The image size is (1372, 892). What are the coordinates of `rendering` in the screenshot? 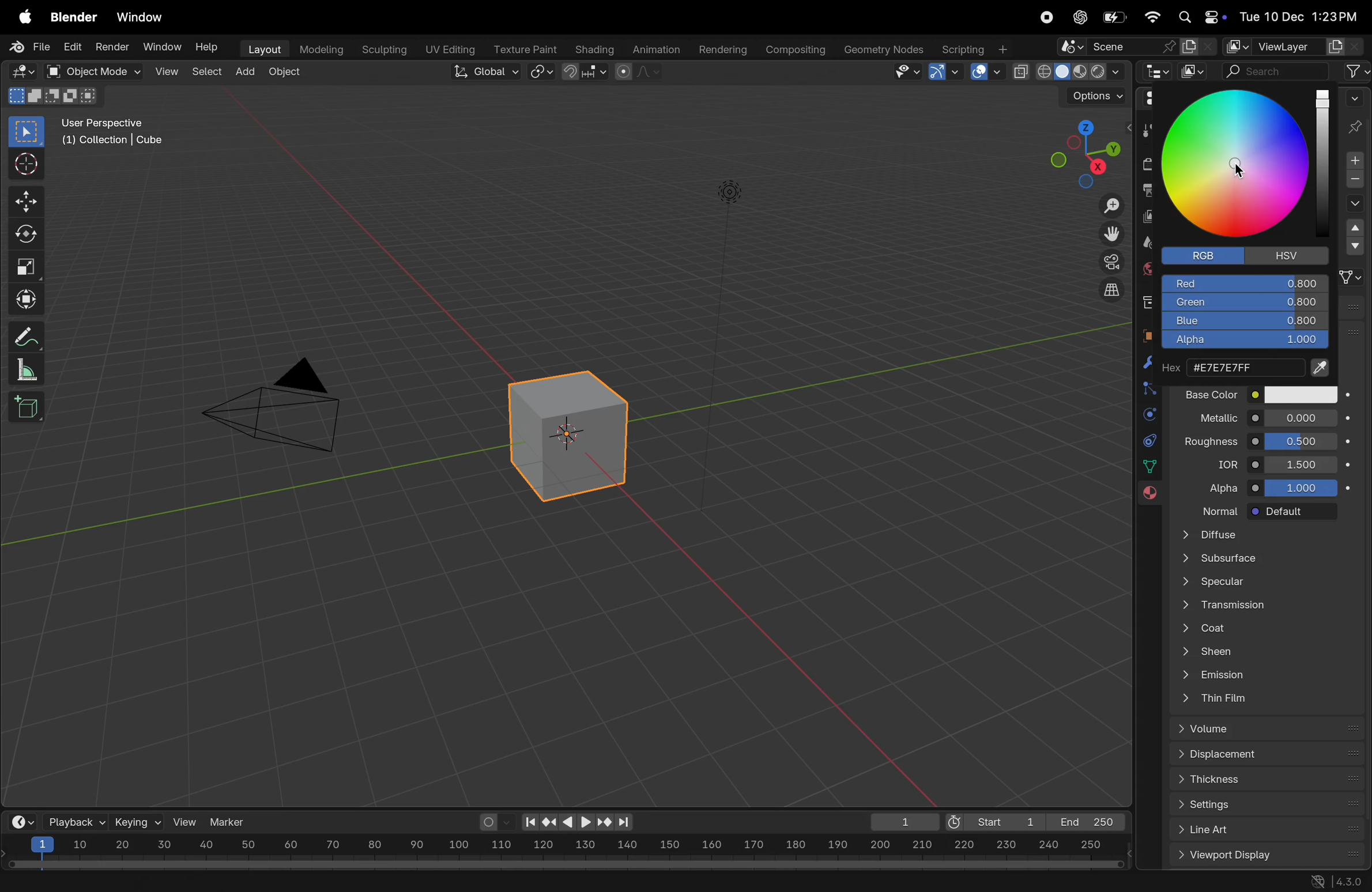 It's located at (719, 48).